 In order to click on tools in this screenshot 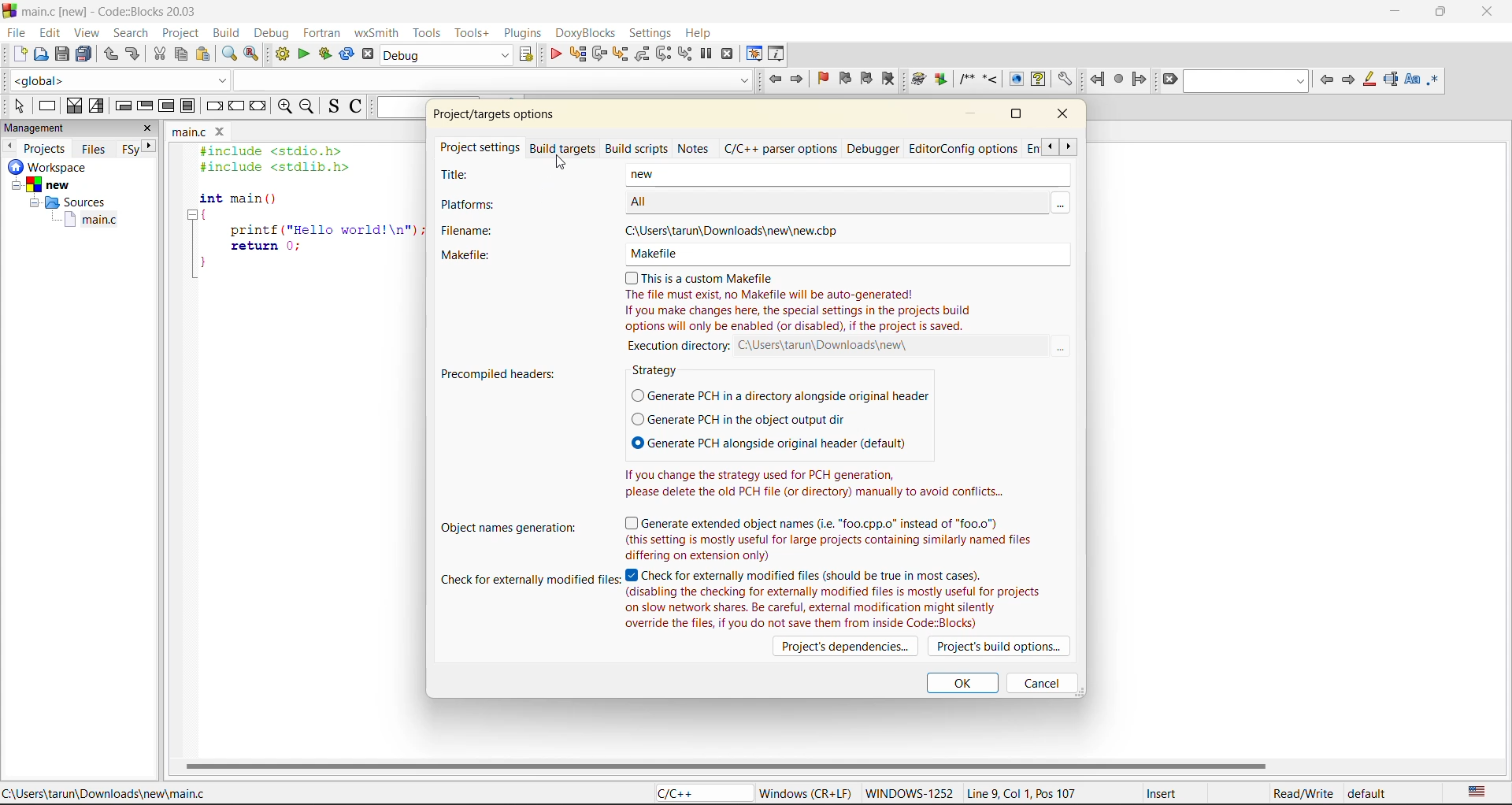, I will do `click(429, 33)`.